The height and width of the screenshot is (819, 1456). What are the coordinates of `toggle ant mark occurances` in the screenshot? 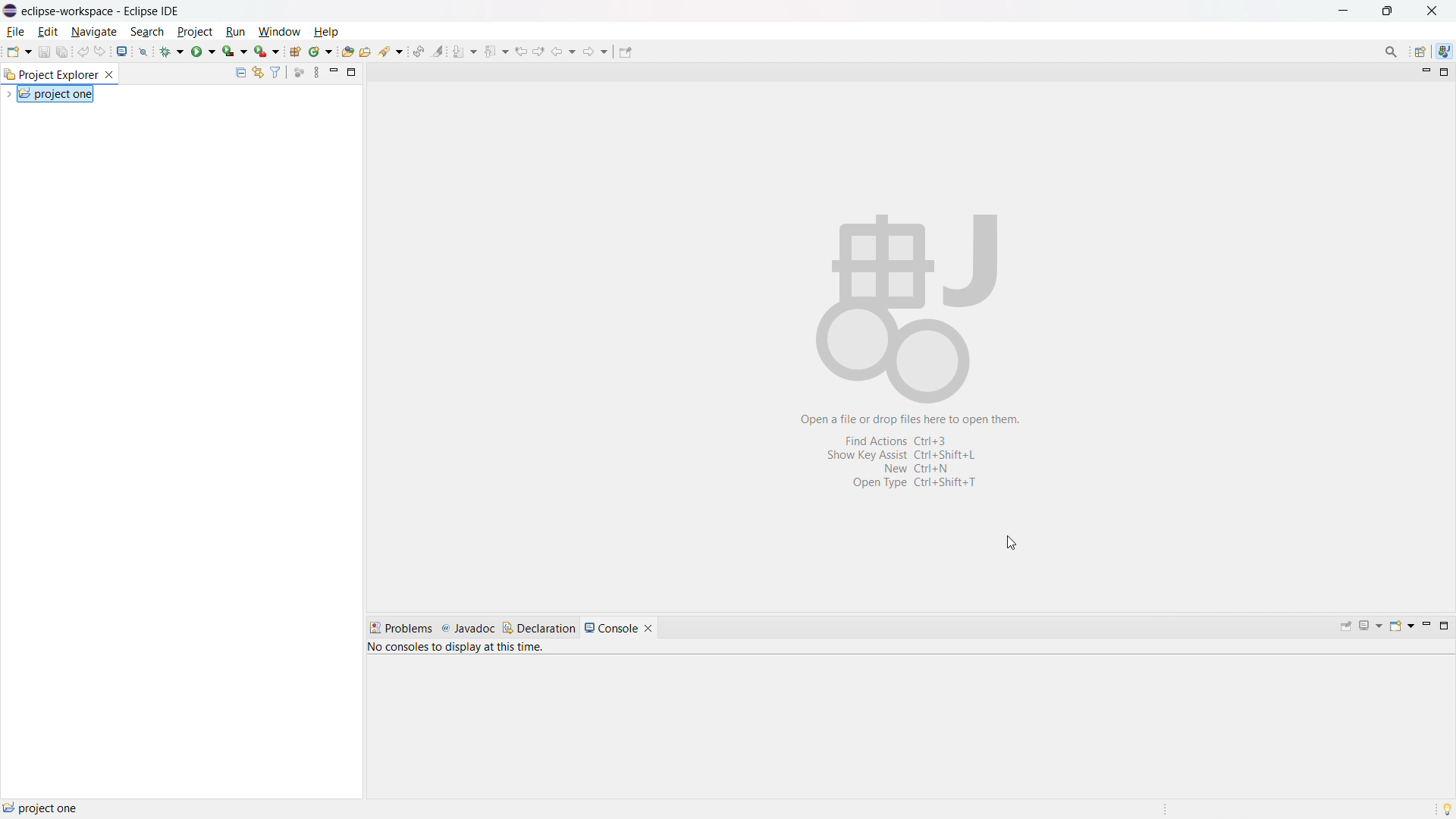 It's located at (438, 51).